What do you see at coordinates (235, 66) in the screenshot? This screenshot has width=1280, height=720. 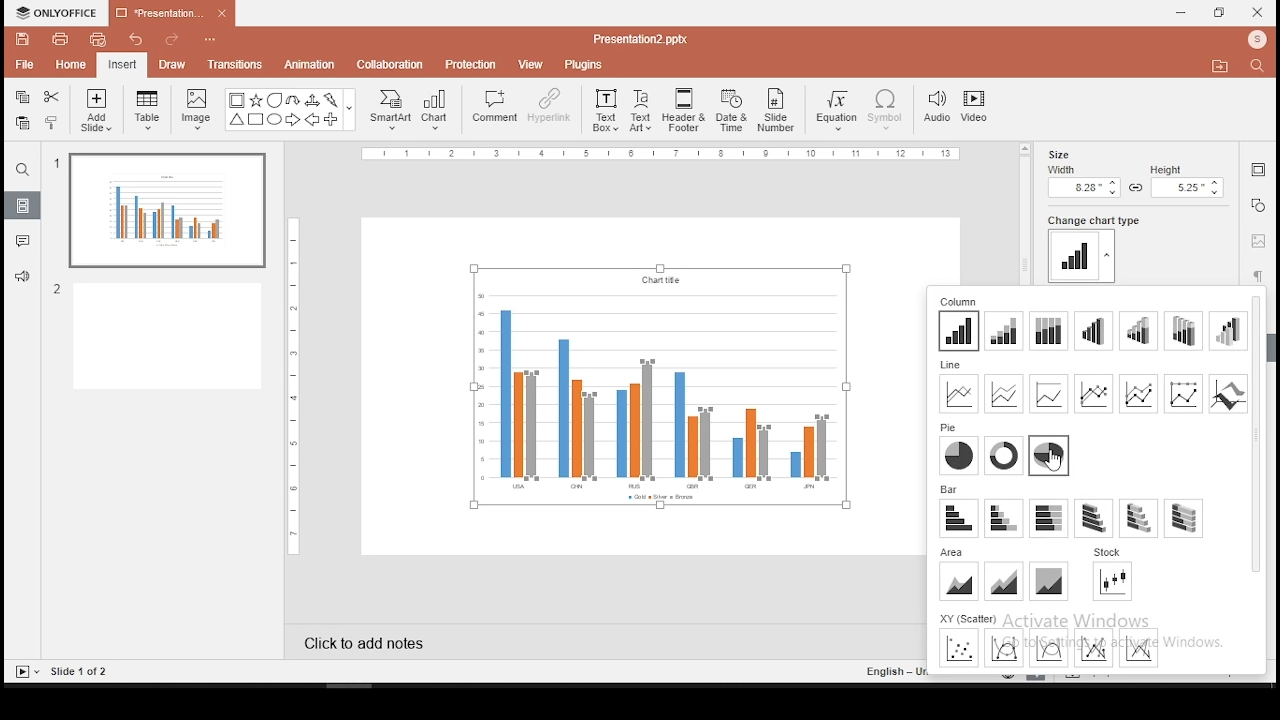 I see `transitions` at bounding box center [235, 66].